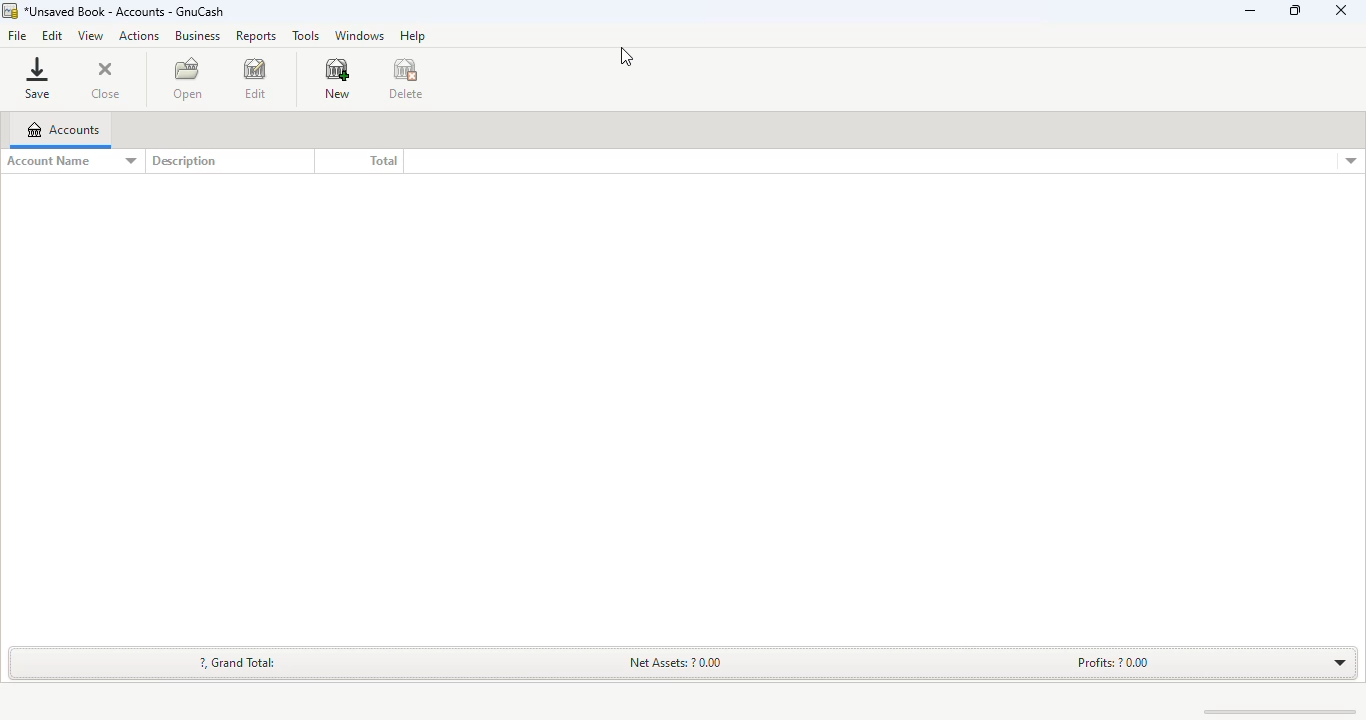 The height and width of the screenshot is (720, 1366). Describe the element at coordinates (124, 11) in the screenshot. I see `title` at that location.